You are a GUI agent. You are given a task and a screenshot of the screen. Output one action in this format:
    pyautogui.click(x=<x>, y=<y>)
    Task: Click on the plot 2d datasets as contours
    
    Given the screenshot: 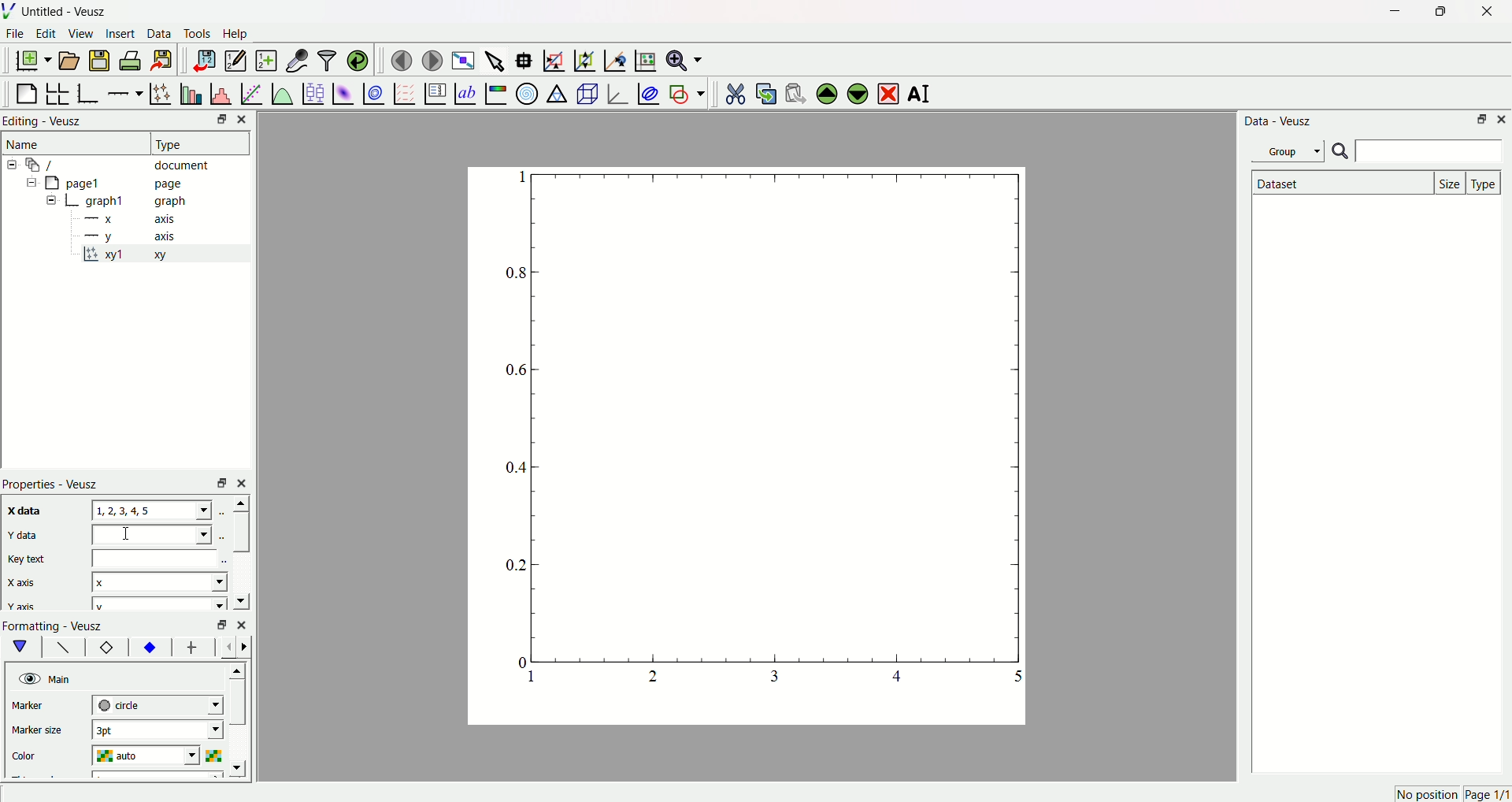 What is the action you would take?
    pyautogui.click(x=372, y=93)
    